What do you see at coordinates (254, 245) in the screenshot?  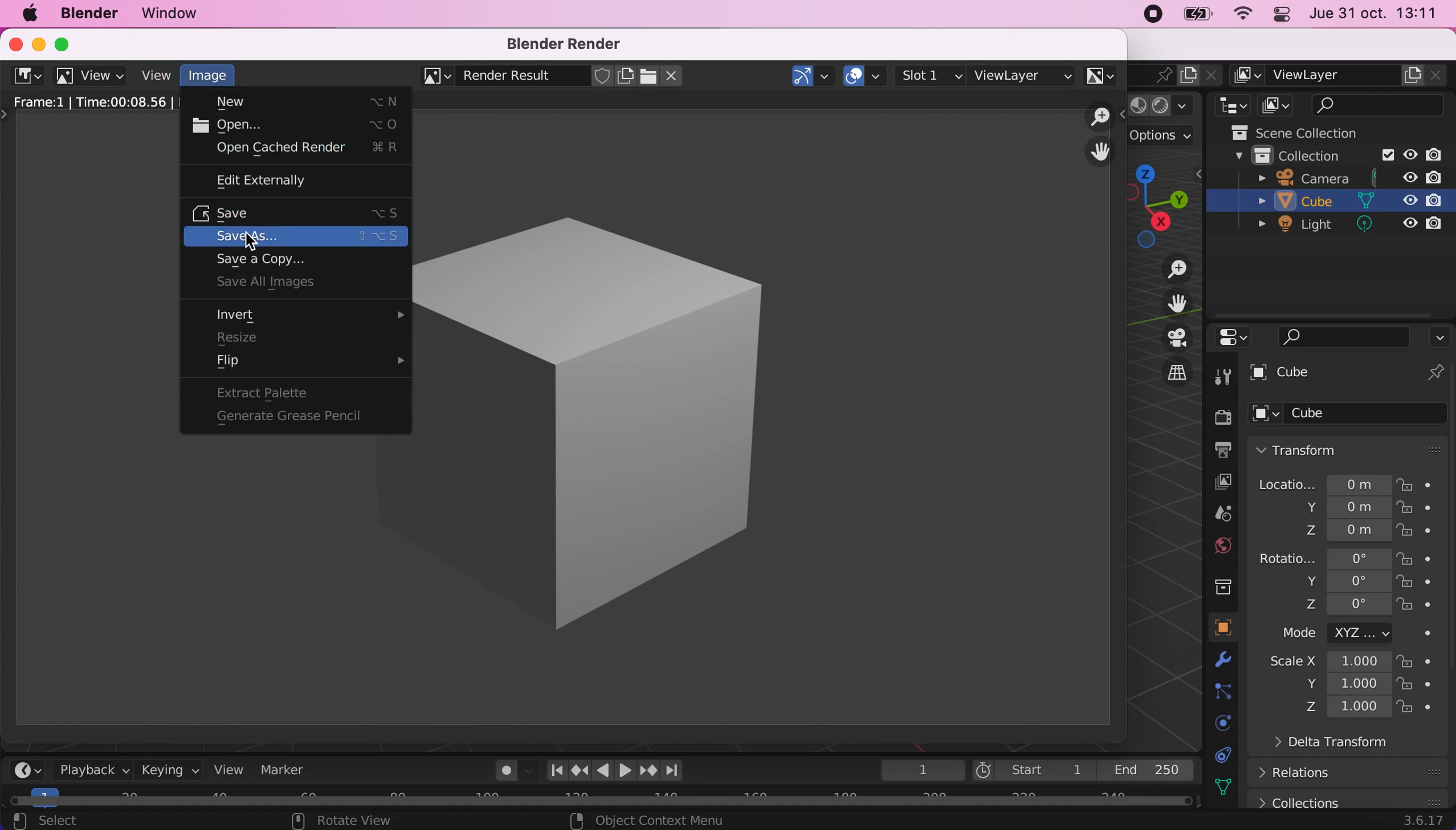 I see `cursor` at bounding box center [254, 245].